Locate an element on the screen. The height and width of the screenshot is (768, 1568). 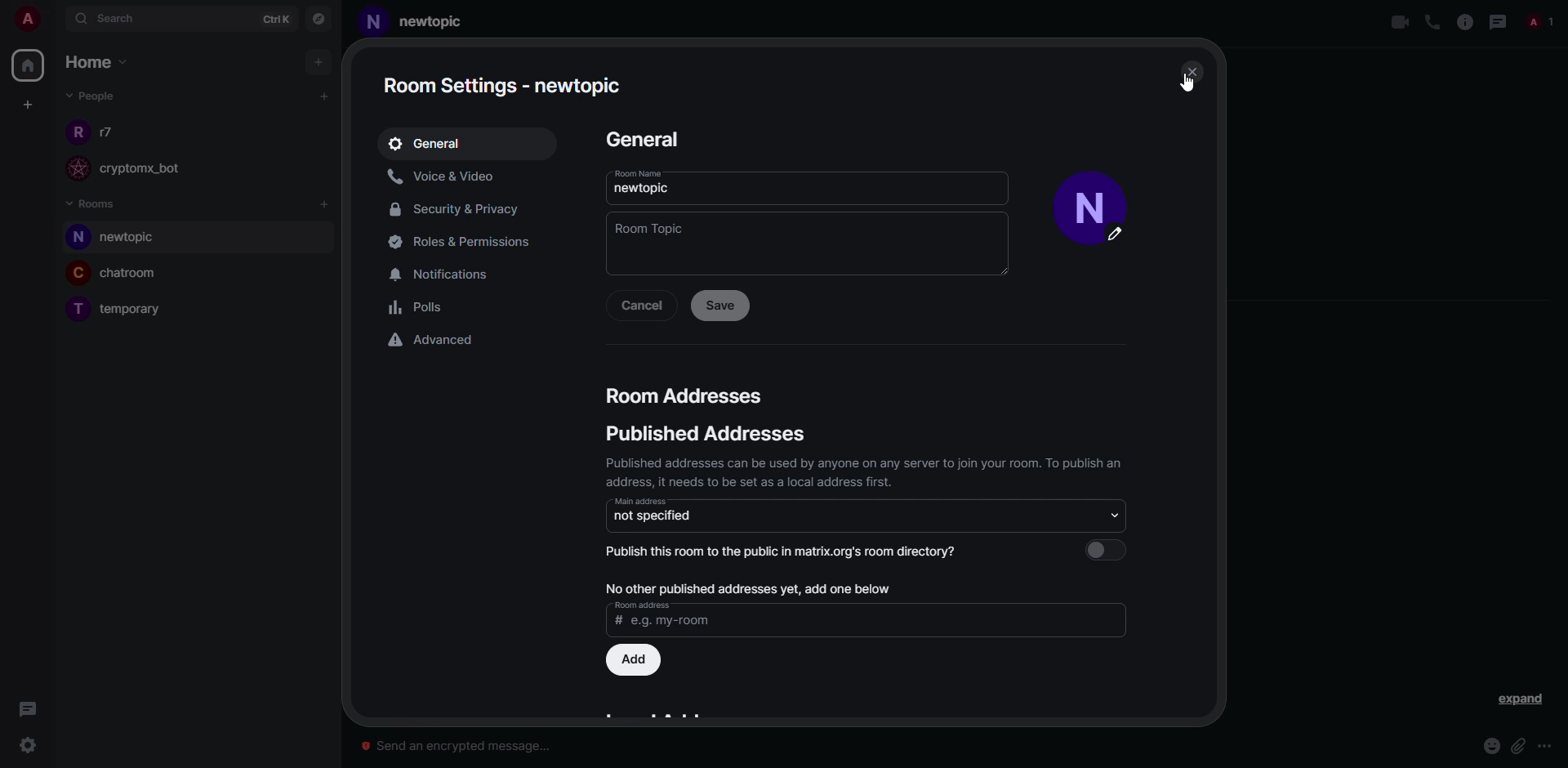
profile is located at coordinates (373, 25).